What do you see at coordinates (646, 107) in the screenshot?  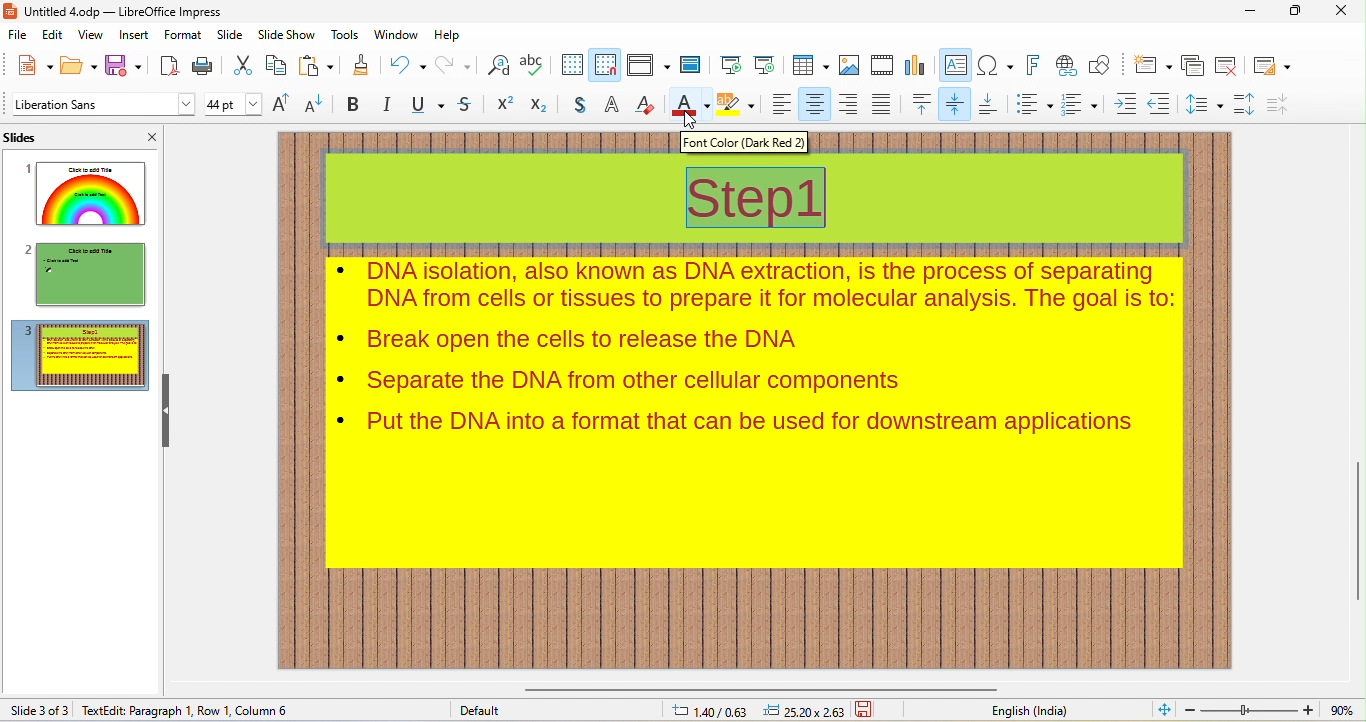 I see `clear direct formatting` at bounding box center [646, 107].